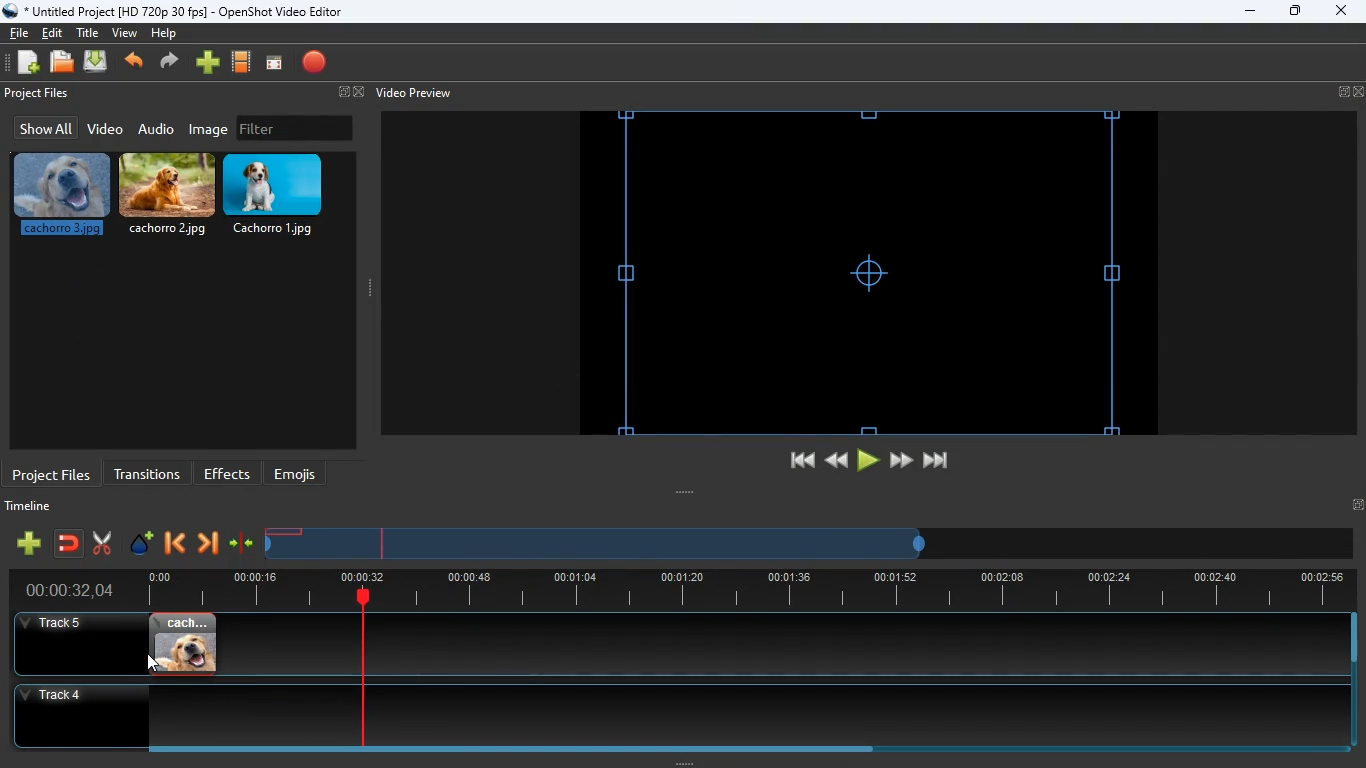 This screenshot has height=768, width=1366. I want to click on video preview, so click(412, 93).